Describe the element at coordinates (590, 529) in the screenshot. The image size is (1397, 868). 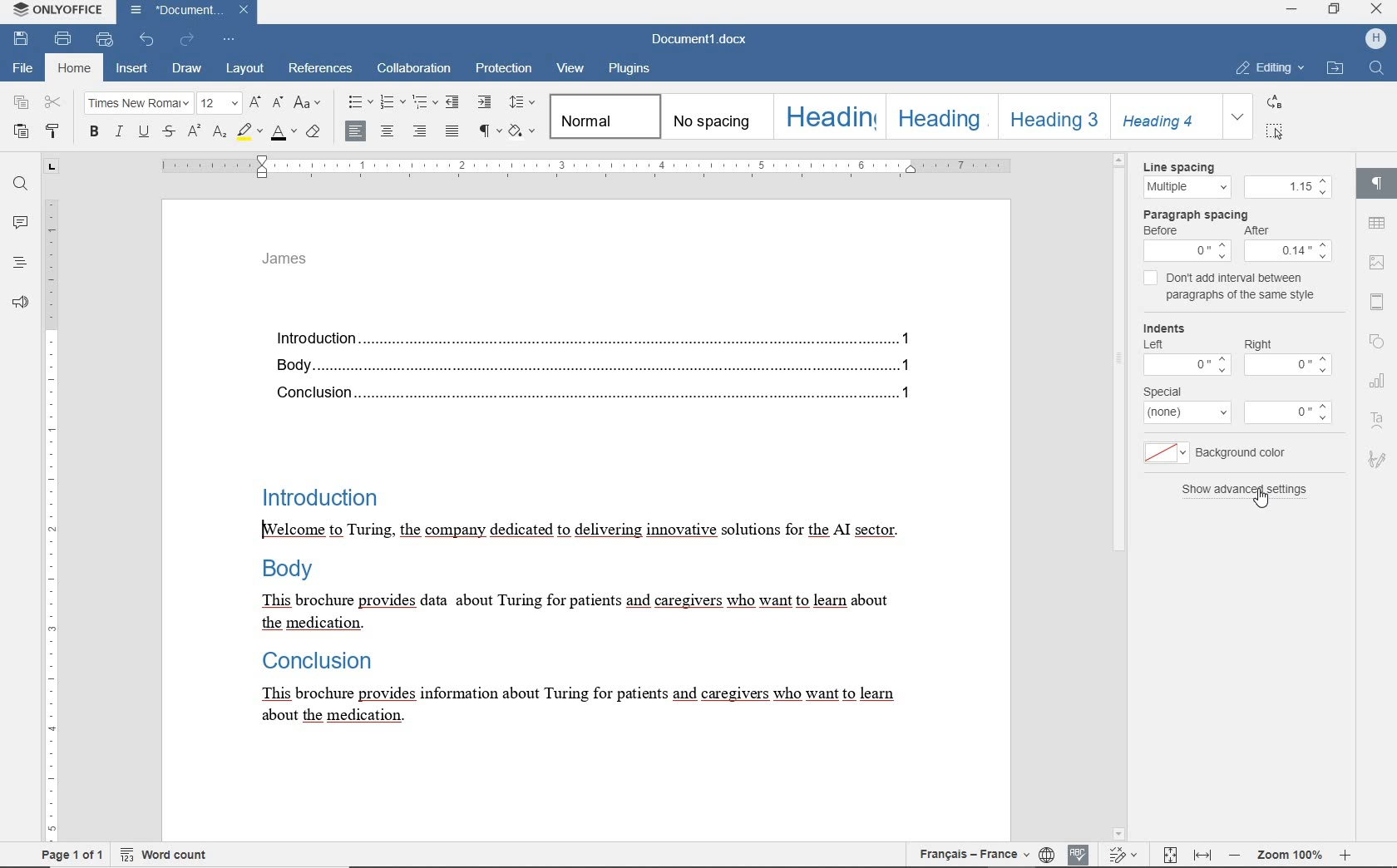
I see `[Welcome to Turing, the company dedicated to delivering innovative solutions for the AI sector.` at that location.